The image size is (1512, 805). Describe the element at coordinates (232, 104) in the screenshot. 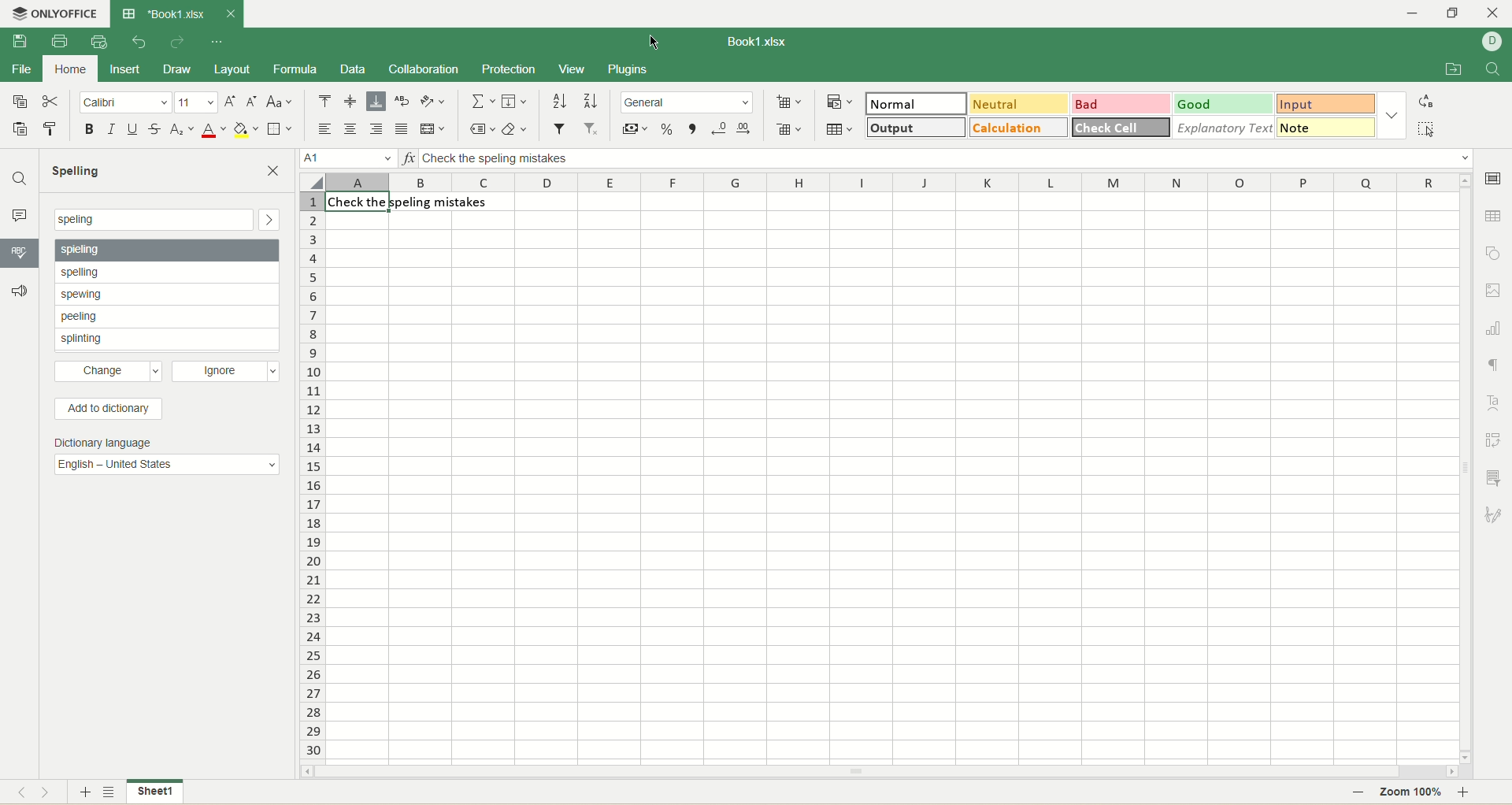

I see `increase size` at that location.